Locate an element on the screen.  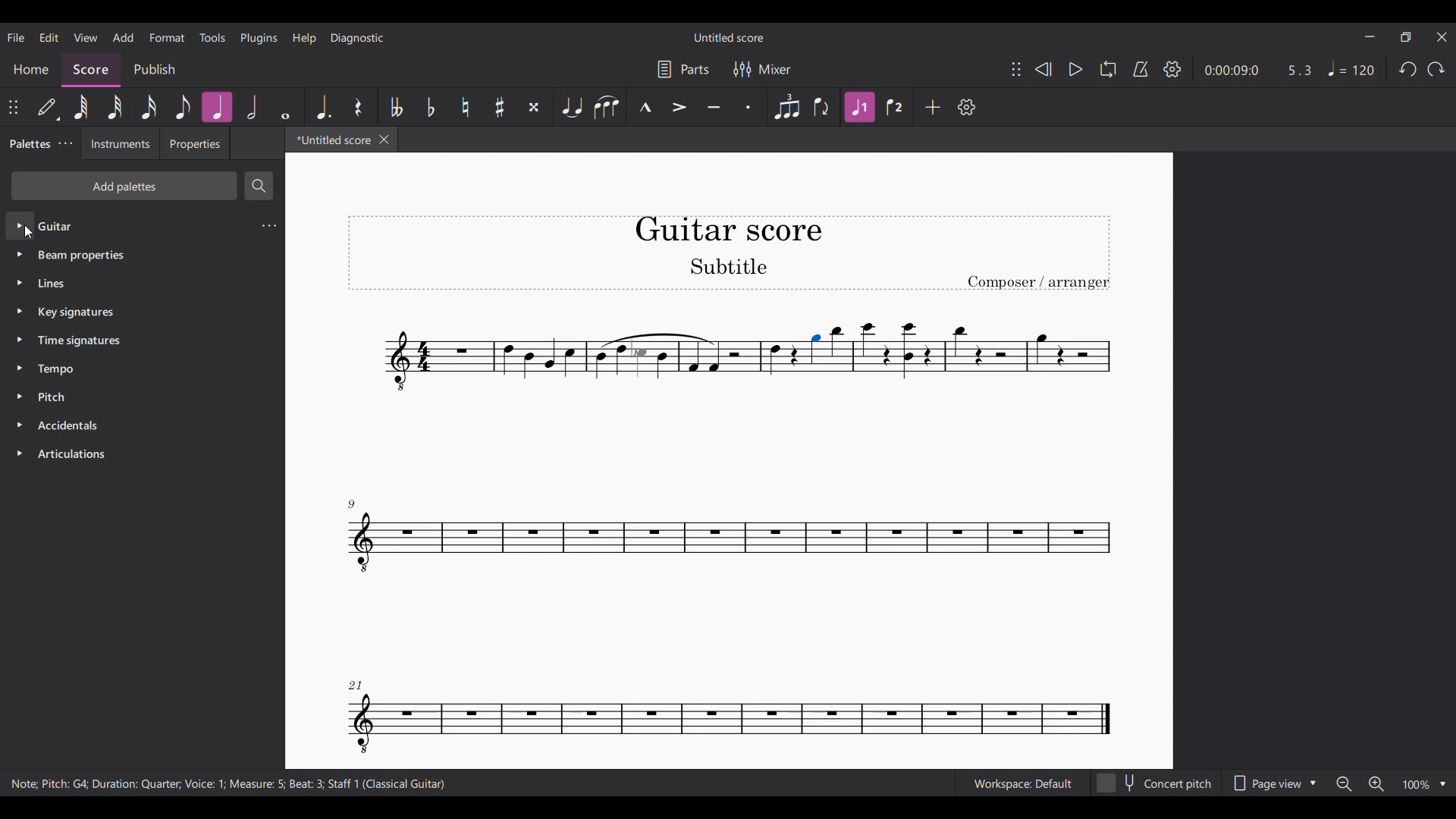
Score title is located at coordinates (728, 38).